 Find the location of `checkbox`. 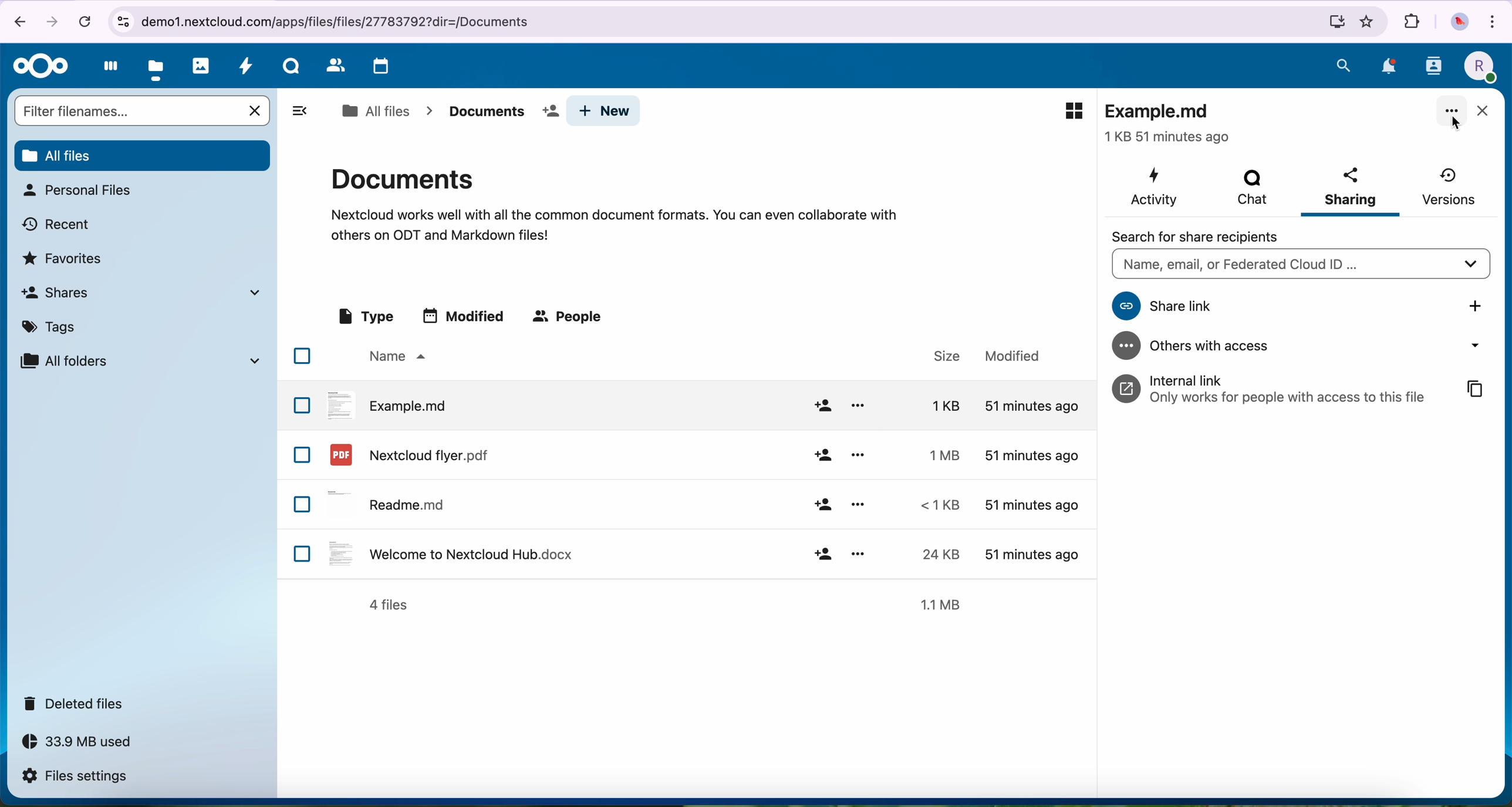

checkbox is located at coordinates (303, 553).